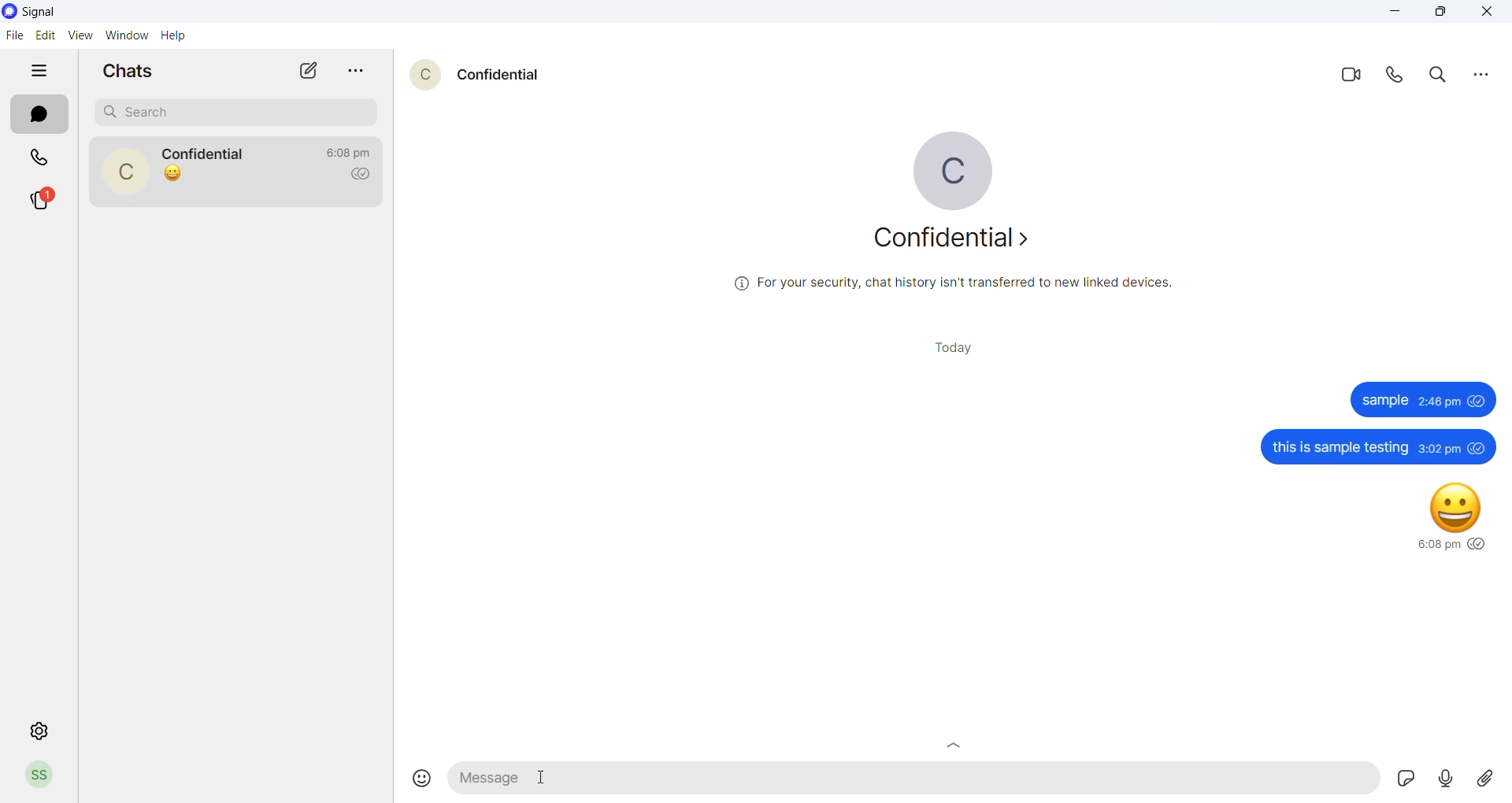  I want to click on read recipient, so click(365, 175).